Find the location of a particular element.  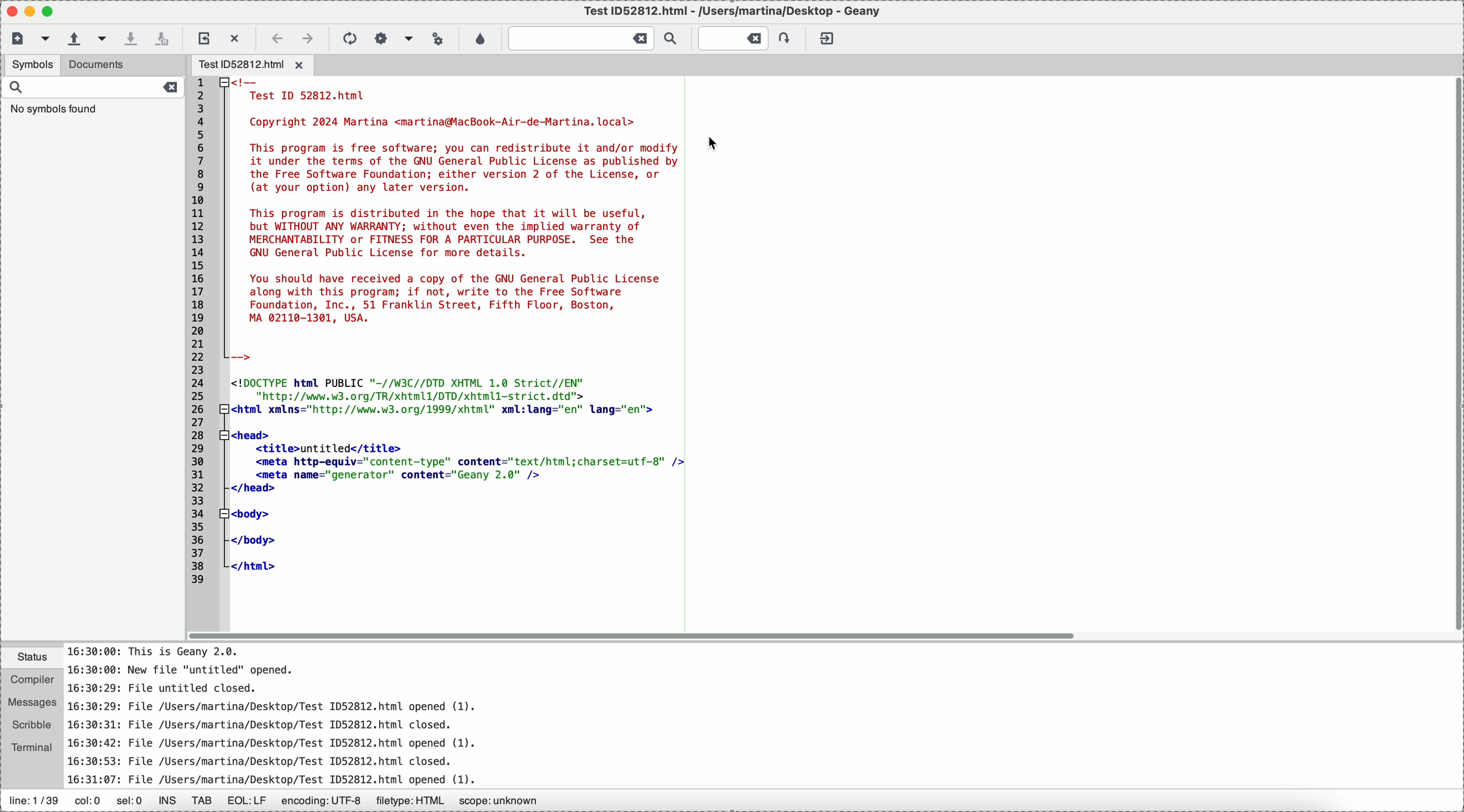

© Test ID 52812.html
Copyright 2024 Martina <martina@MacBook-Air-de-Martina.local>
This program is free software; you can redistribute it and/or modify
it under the terms of the GNU General Public License as published by
the Free Software Foundation; either version 2 of the License, or
(at your option) any later version.
This program is distributed in the hope that it will be useful,
but WITHOUT ANY WARRANTY; without even the implied warranty of
MERCHANTABILITY or FITNESS FOR A PARTICULAR PURPOSE. See the
GNU General Public License for more details.
You should have received a copy of the GNU General Public License
along with this program; if not, write to the Free Software
Foundation, Inc., 51 Franklin Street, Fifth Floor, Boston,
MA 02110-1301, USA.
—
<!DOCTYPE html PUBLIC "-//W3C//DTD XHTML 1.0 Strict//EN"
"http://www.w3.0rg/TR/xhtm11/DTD/xhtmll-strict.dtd">
<html xmlns="http://www.w3.0rg/1999/xhtml" xml:lang="en" lang="en">
<head>
<title>untitled</title>
<meta http-equiv="content-type" content="text/html;charset=utf-8" />
<meta name="generator" content="Geany 2.0" />
</head>
<body>
</body>
</html> is located at coordinates (436, 352).